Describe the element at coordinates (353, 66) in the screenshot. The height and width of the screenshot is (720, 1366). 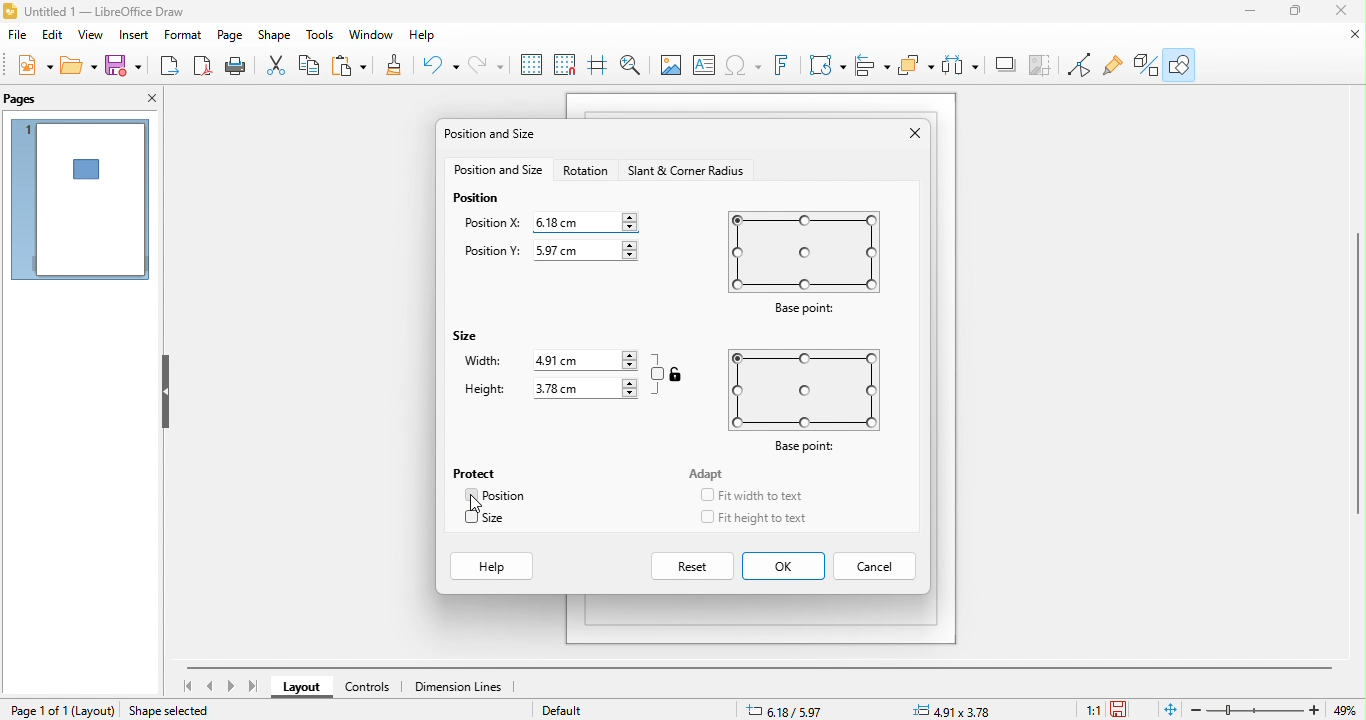
I see `paste` at that location.